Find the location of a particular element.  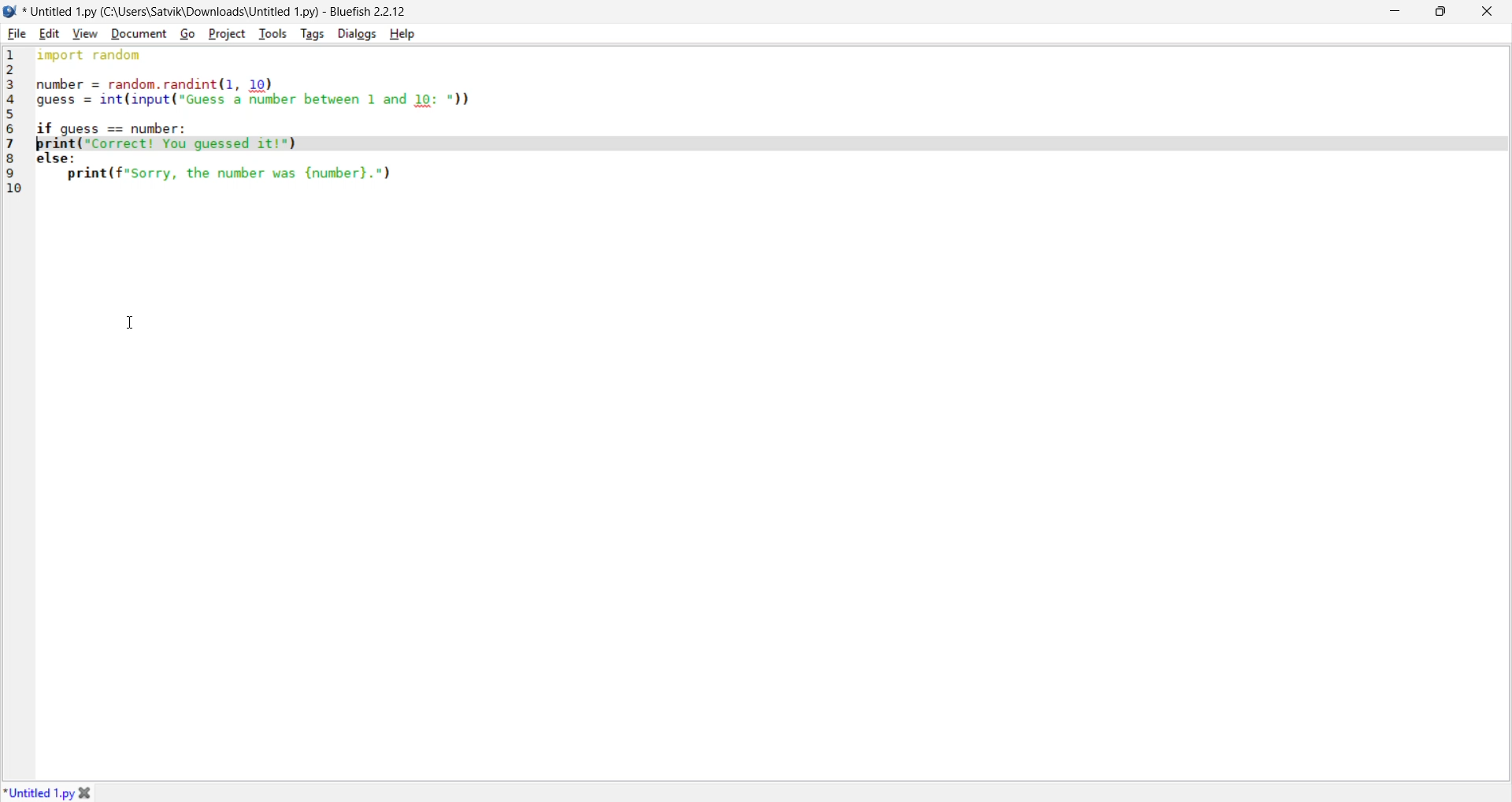

view is located at coordinates (87, 33).